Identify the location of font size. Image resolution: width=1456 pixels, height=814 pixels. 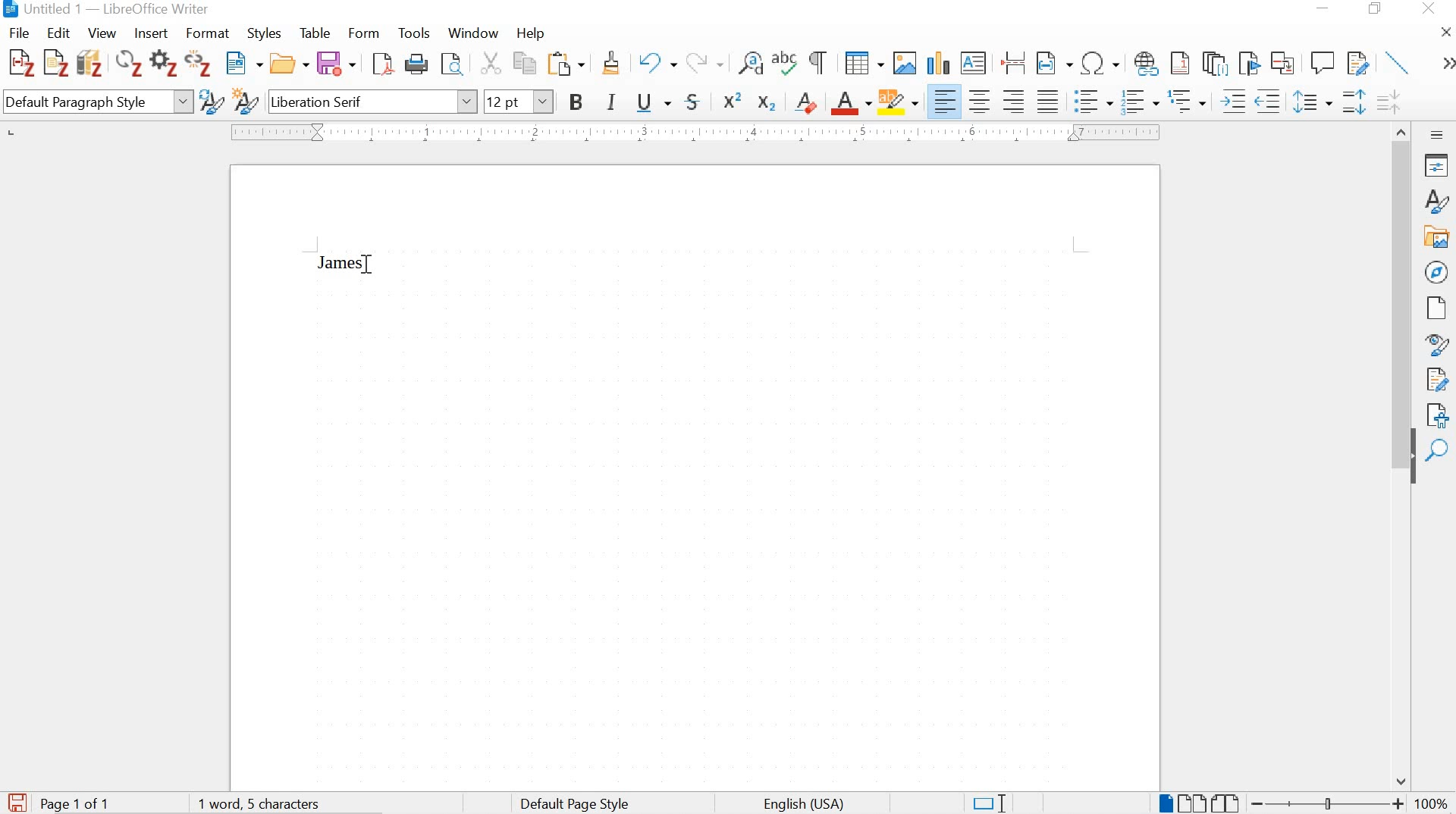
(519, 104).